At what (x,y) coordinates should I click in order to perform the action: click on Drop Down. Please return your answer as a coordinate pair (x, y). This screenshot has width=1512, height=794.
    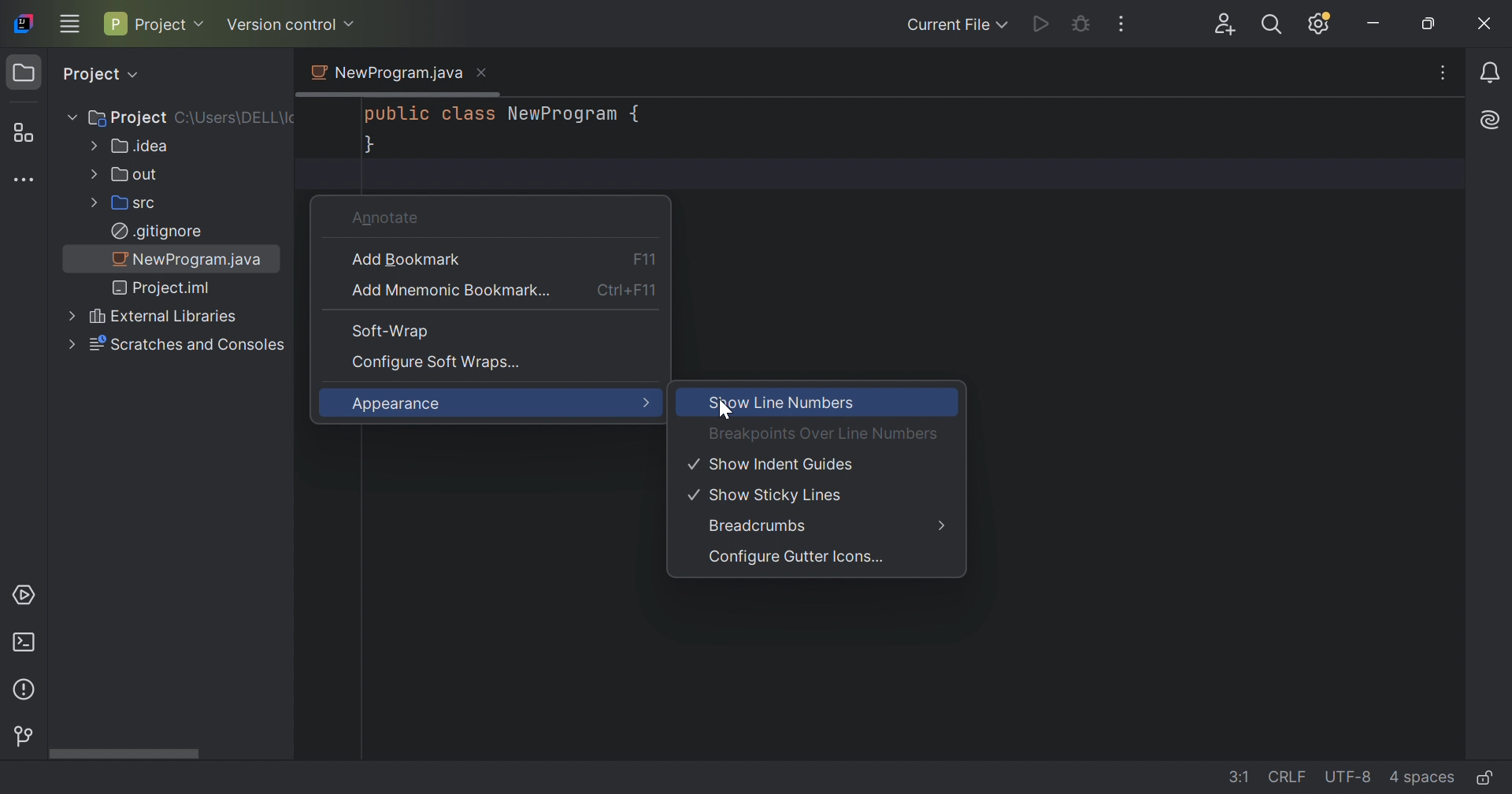
    Looking at the image, I should click on (92, 173).